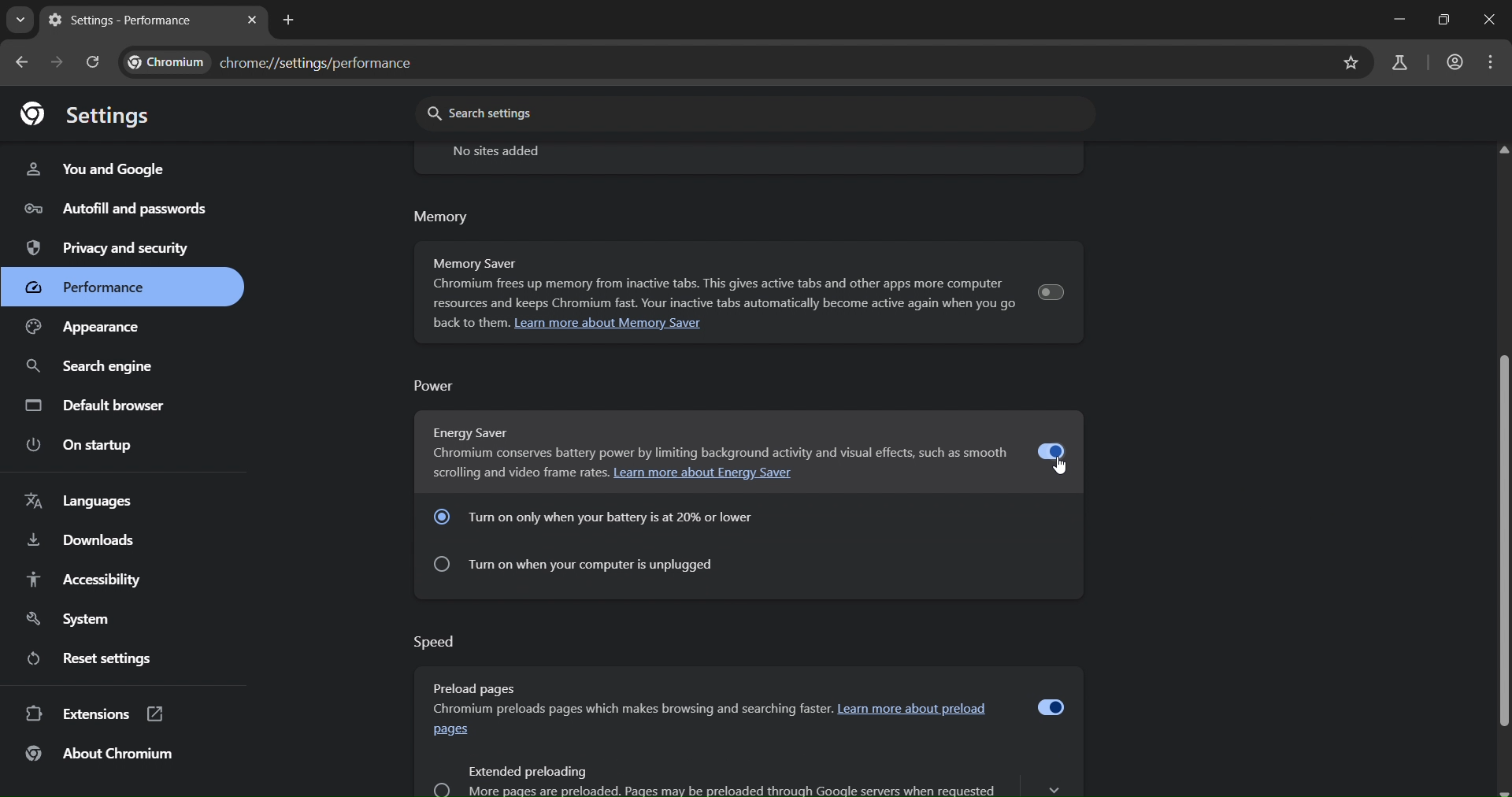  Describe the element at coordinates (75, 619) in the screenshot. I see `system` at that location.